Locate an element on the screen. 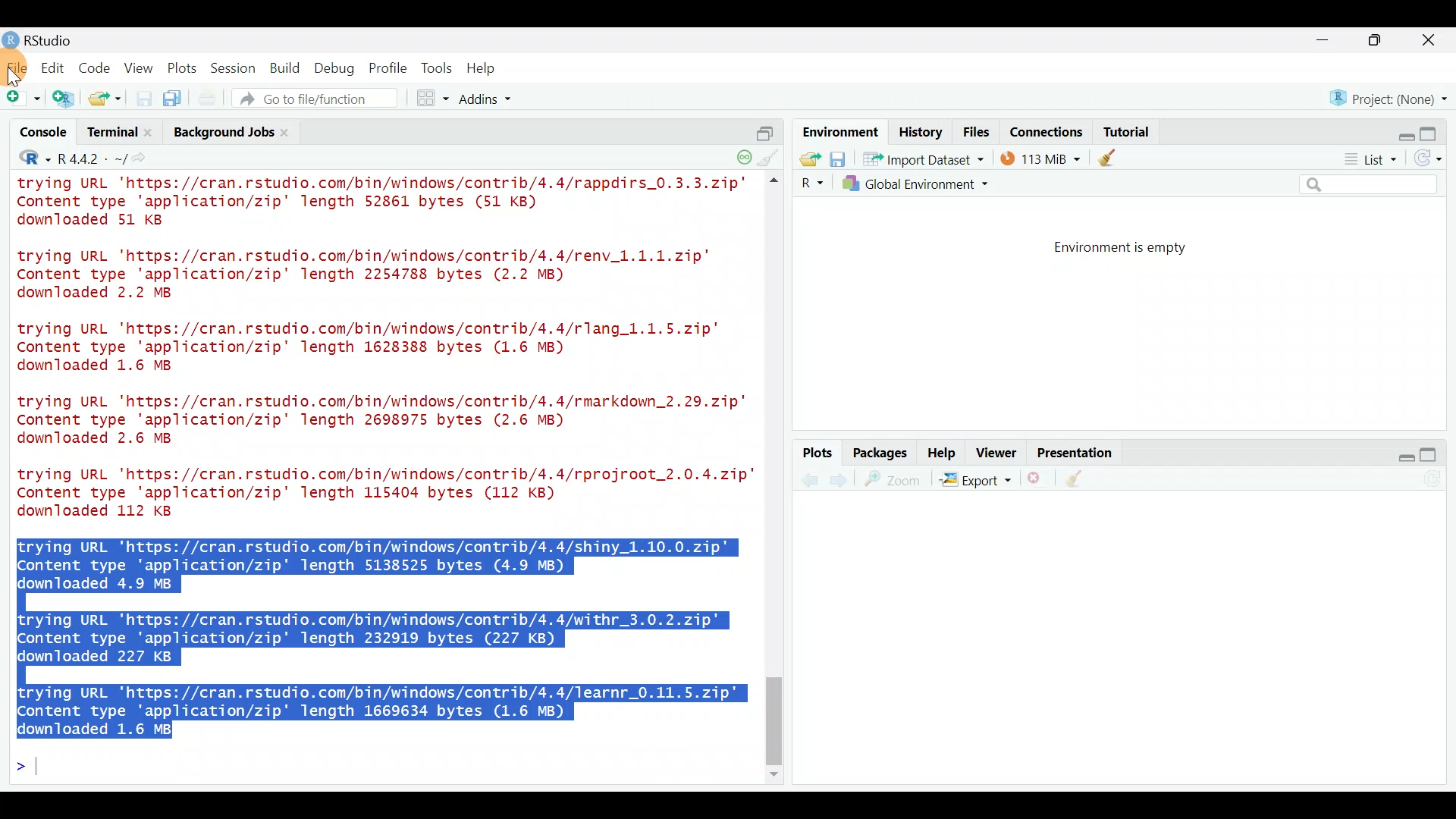 The image size is (1456, 819). Save current document is located at coordinates (144, 99).